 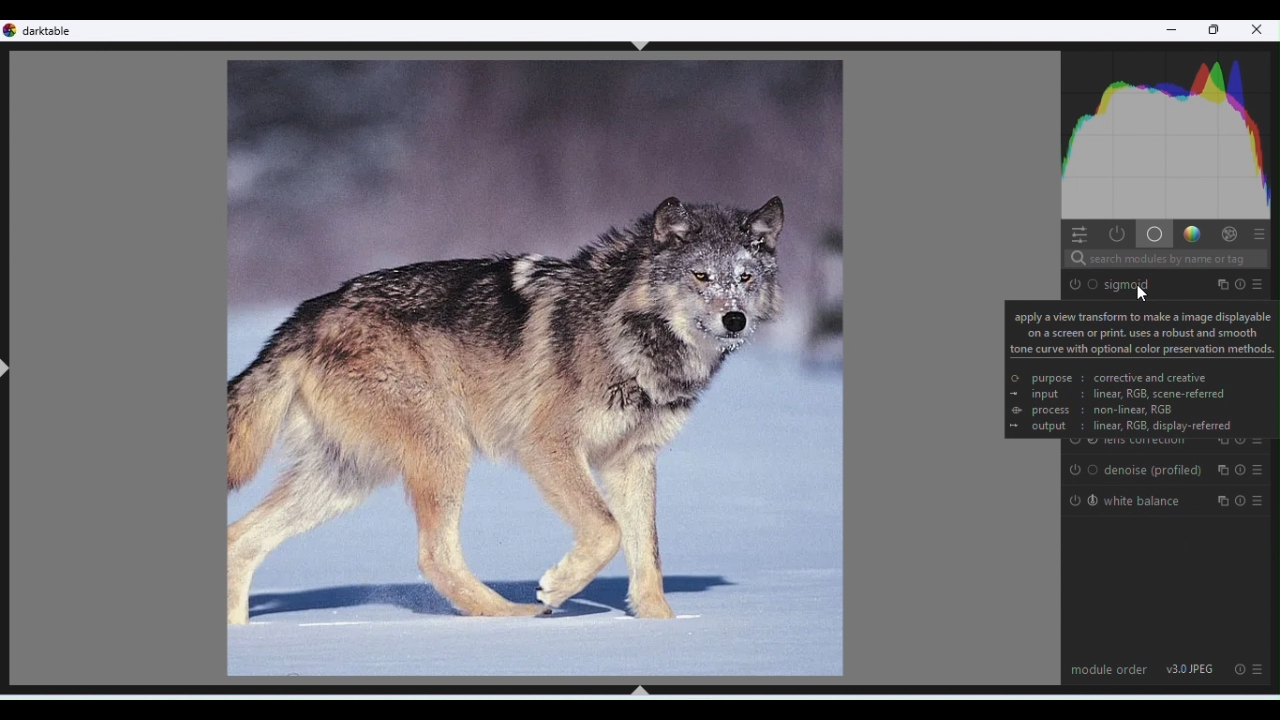 What do you see at coordinates (8, 369) in the screenshot?
I see `ctrl+shift+l` at bounding box center [8, 369].